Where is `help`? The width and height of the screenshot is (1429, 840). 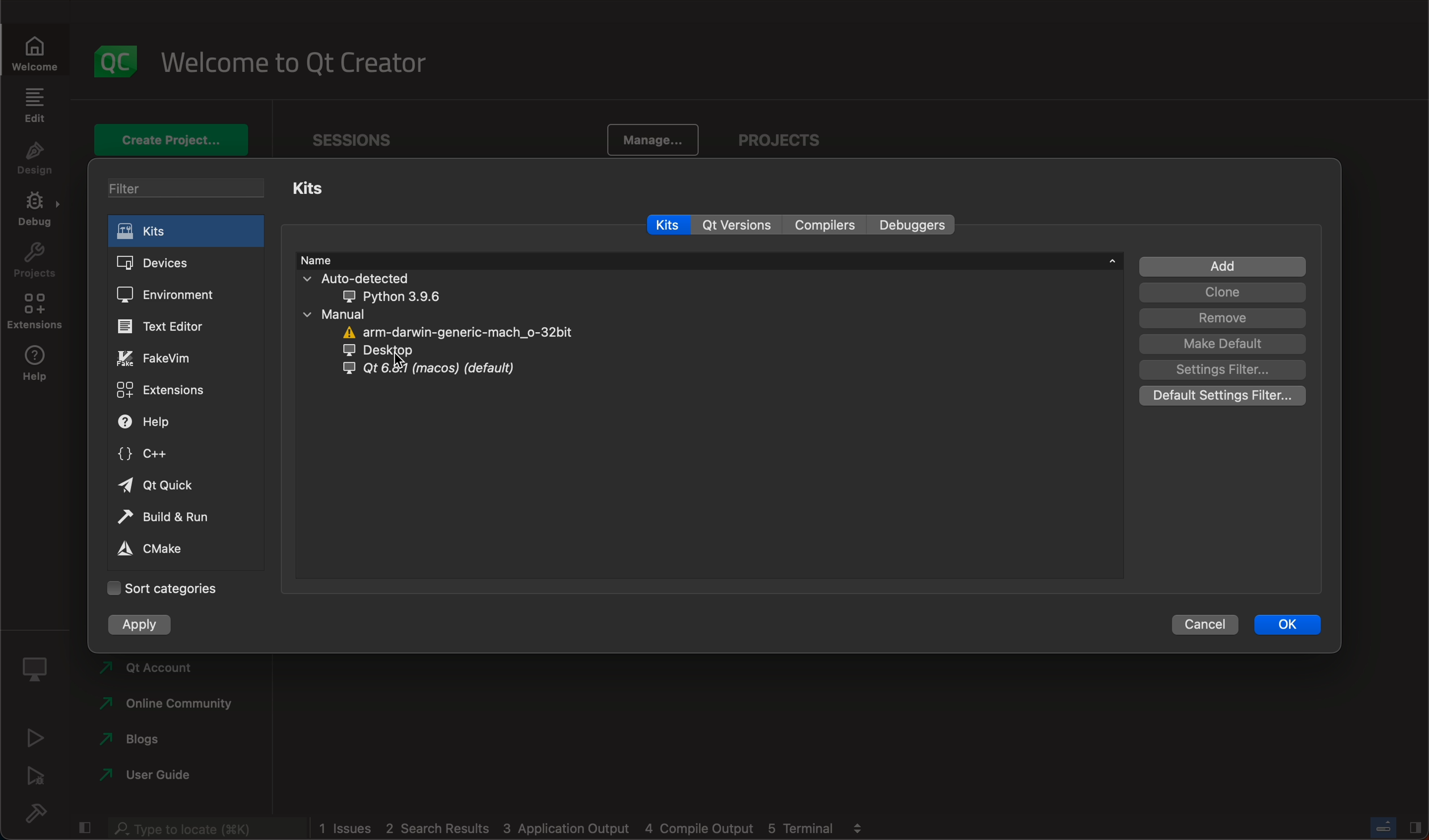 help is located at coordinates (37, 368).